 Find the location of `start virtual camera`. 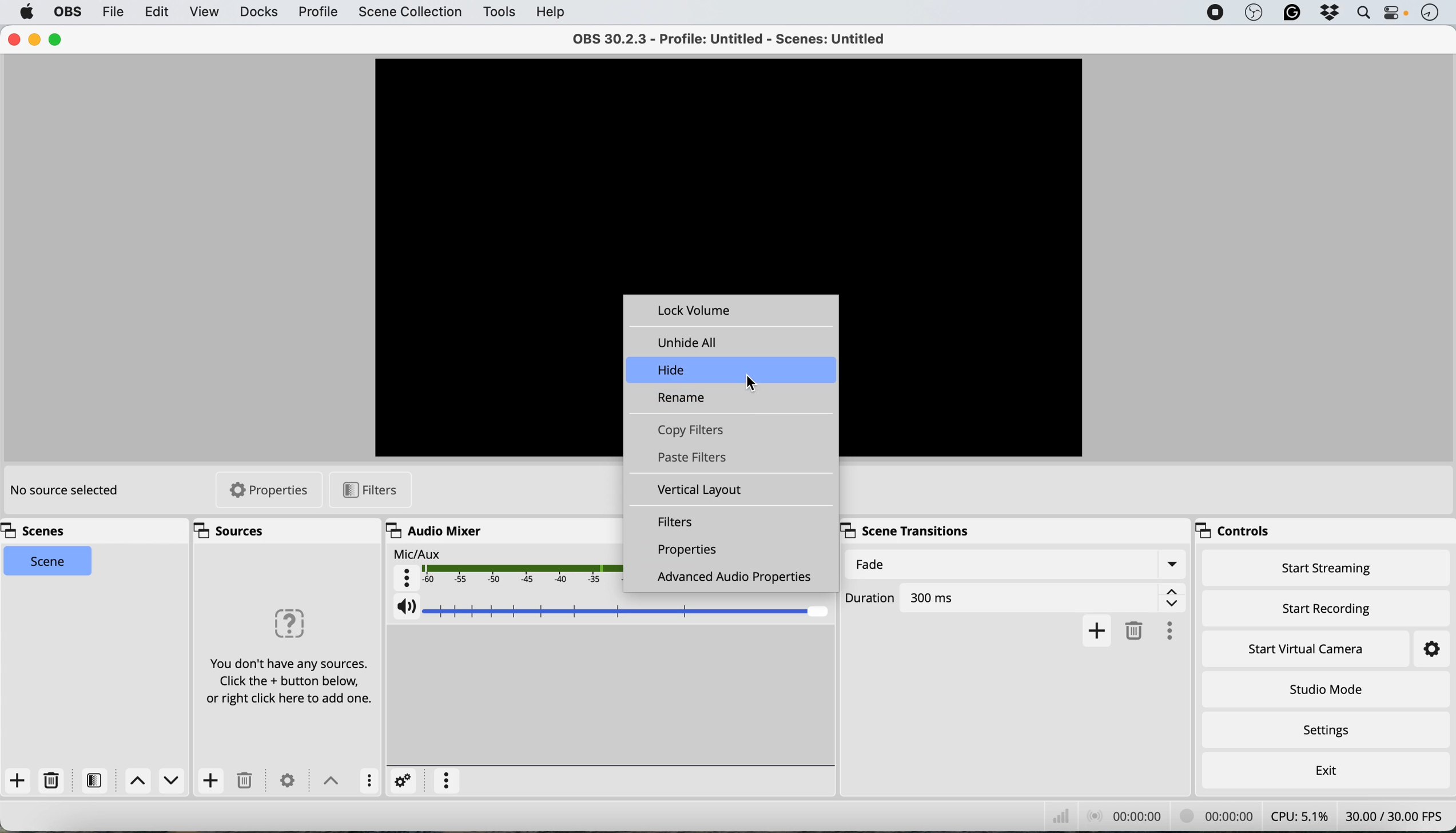

start virtual camera is located at coordinates (1302, 648).